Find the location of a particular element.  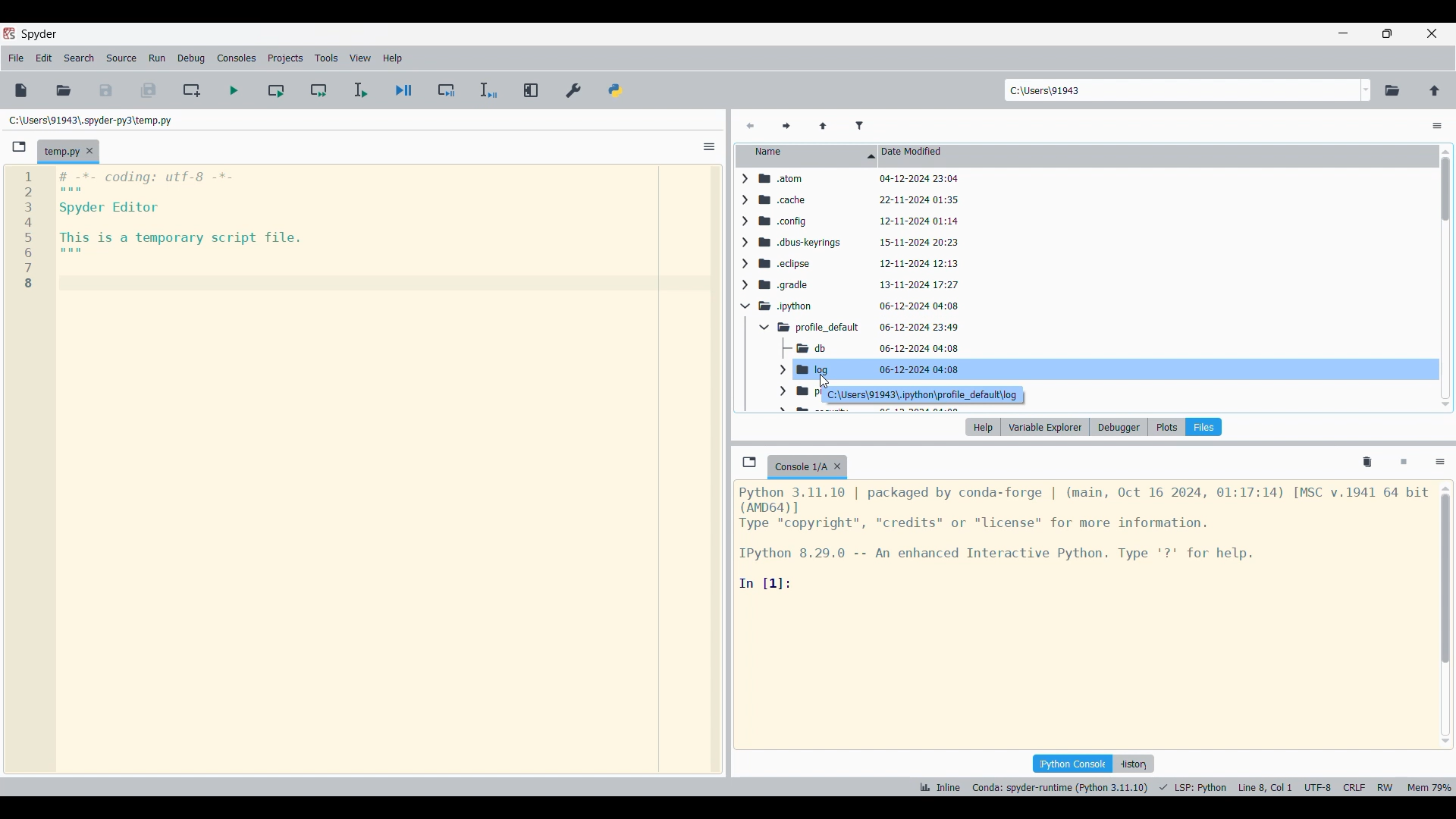

Browse tabs is located at coordinates (749, 462).